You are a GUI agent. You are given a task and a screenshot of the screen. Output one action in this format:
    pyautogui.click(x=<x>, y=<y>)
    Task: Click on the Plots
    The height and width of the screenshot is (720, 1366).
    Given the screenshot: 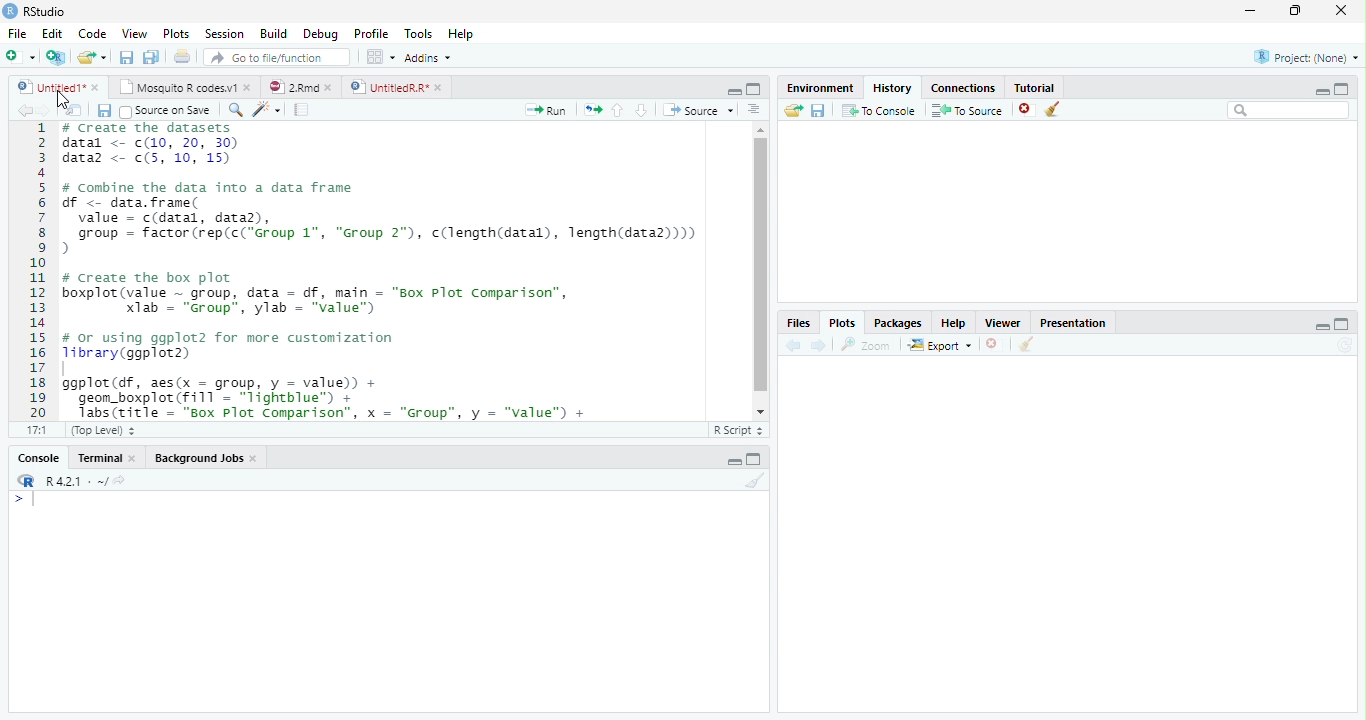 What is the action you would take?
    pyautogui.click(x=842, y=323)
    